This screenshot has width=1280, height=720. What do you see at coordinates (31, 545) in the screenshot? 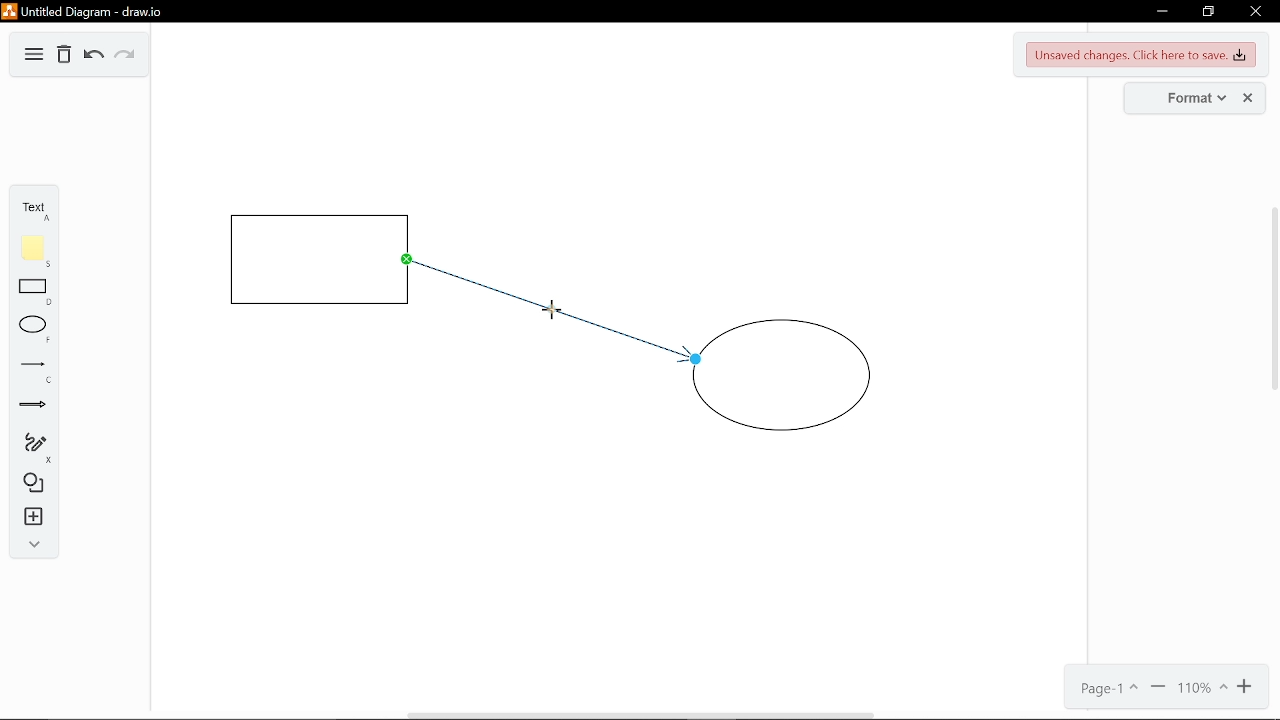
I see `Expand/Collase` at bounding box center [31, 545].